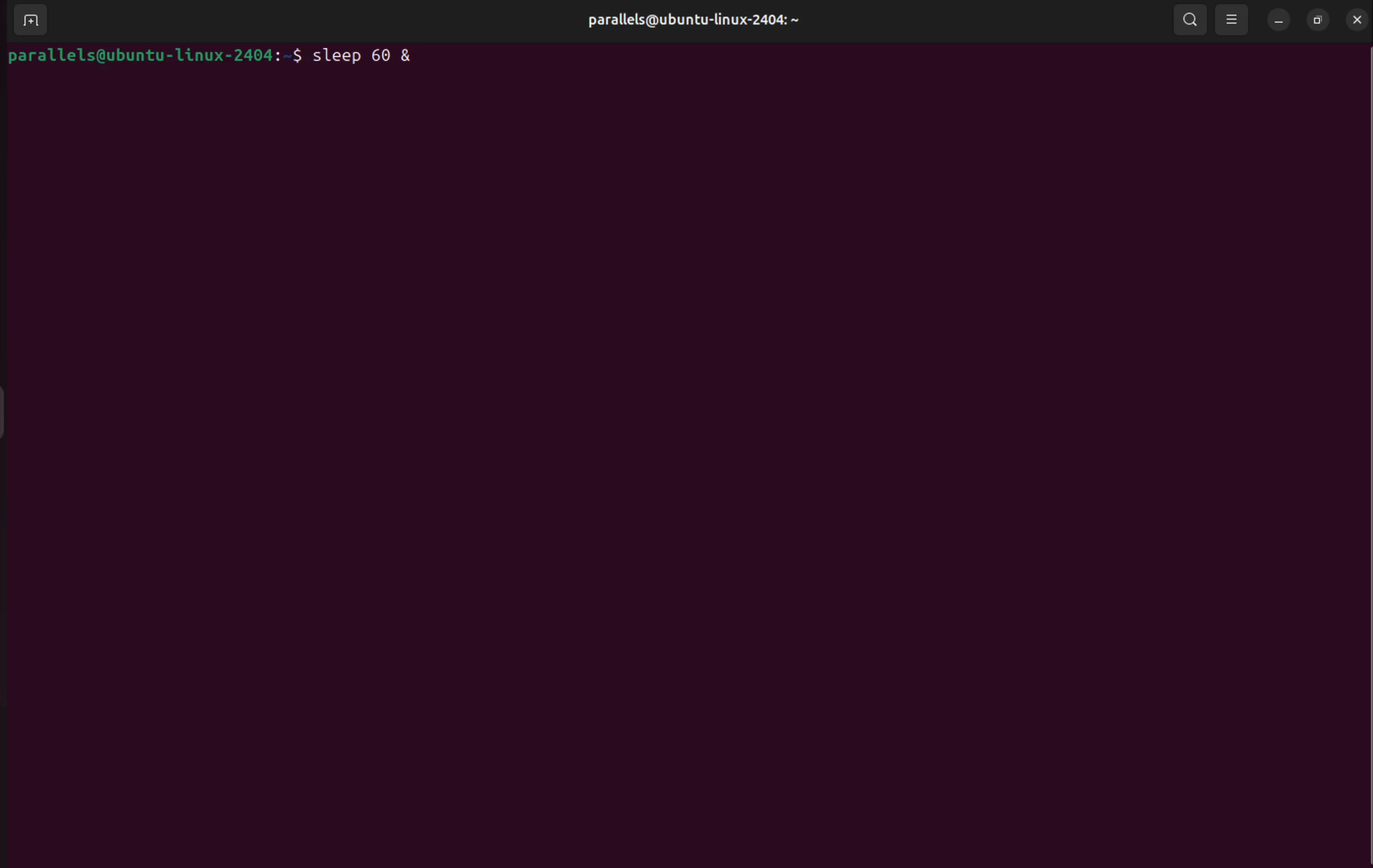 The height and width of the screenshot is (868, 1373). Describe the element at coordinates (1318, 20) in the screenshot. I see `resize` at that location.